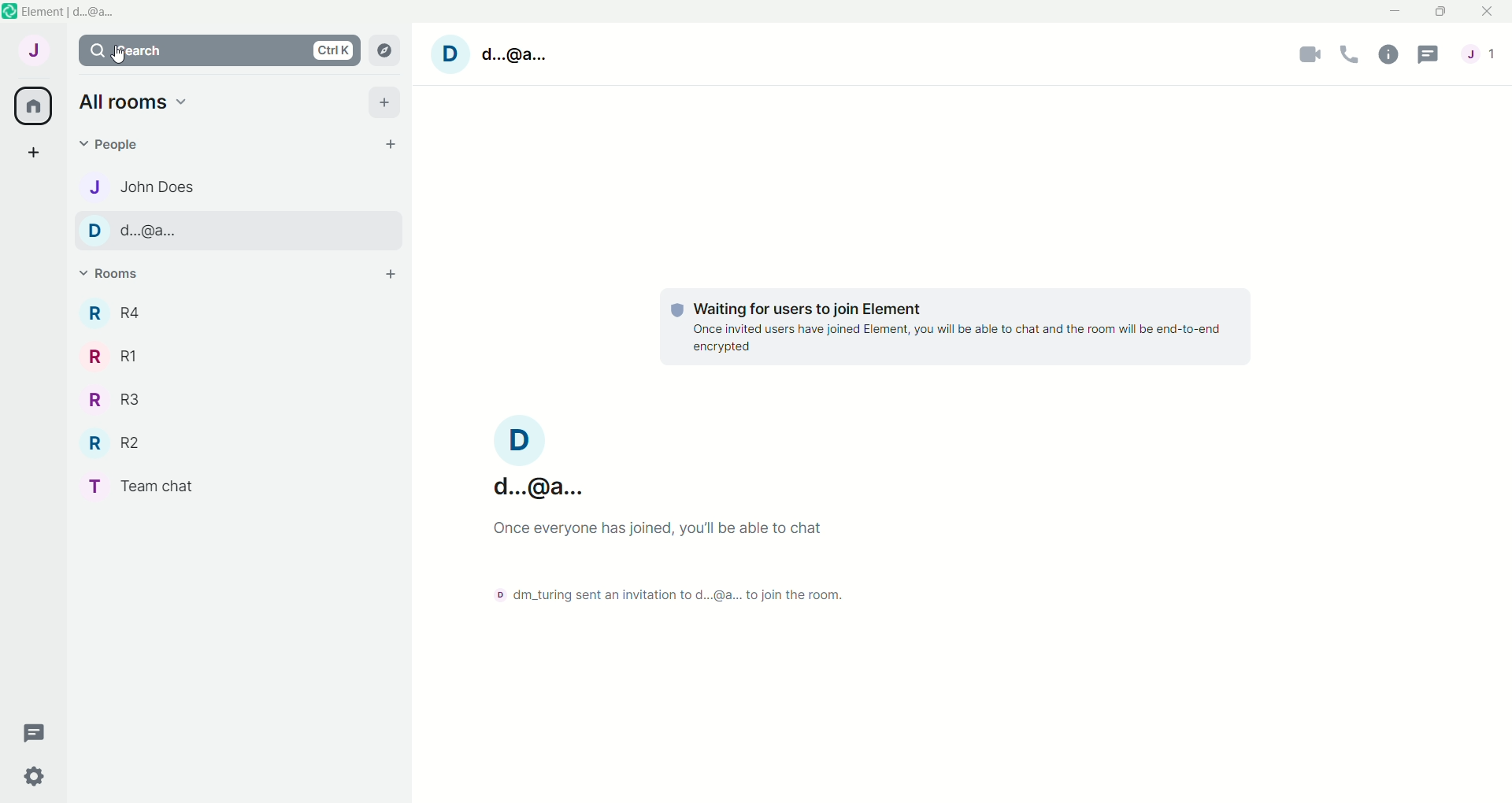  Describe the element at coordinates (1392, 56) in the screenshot. I see `room info` at that location.